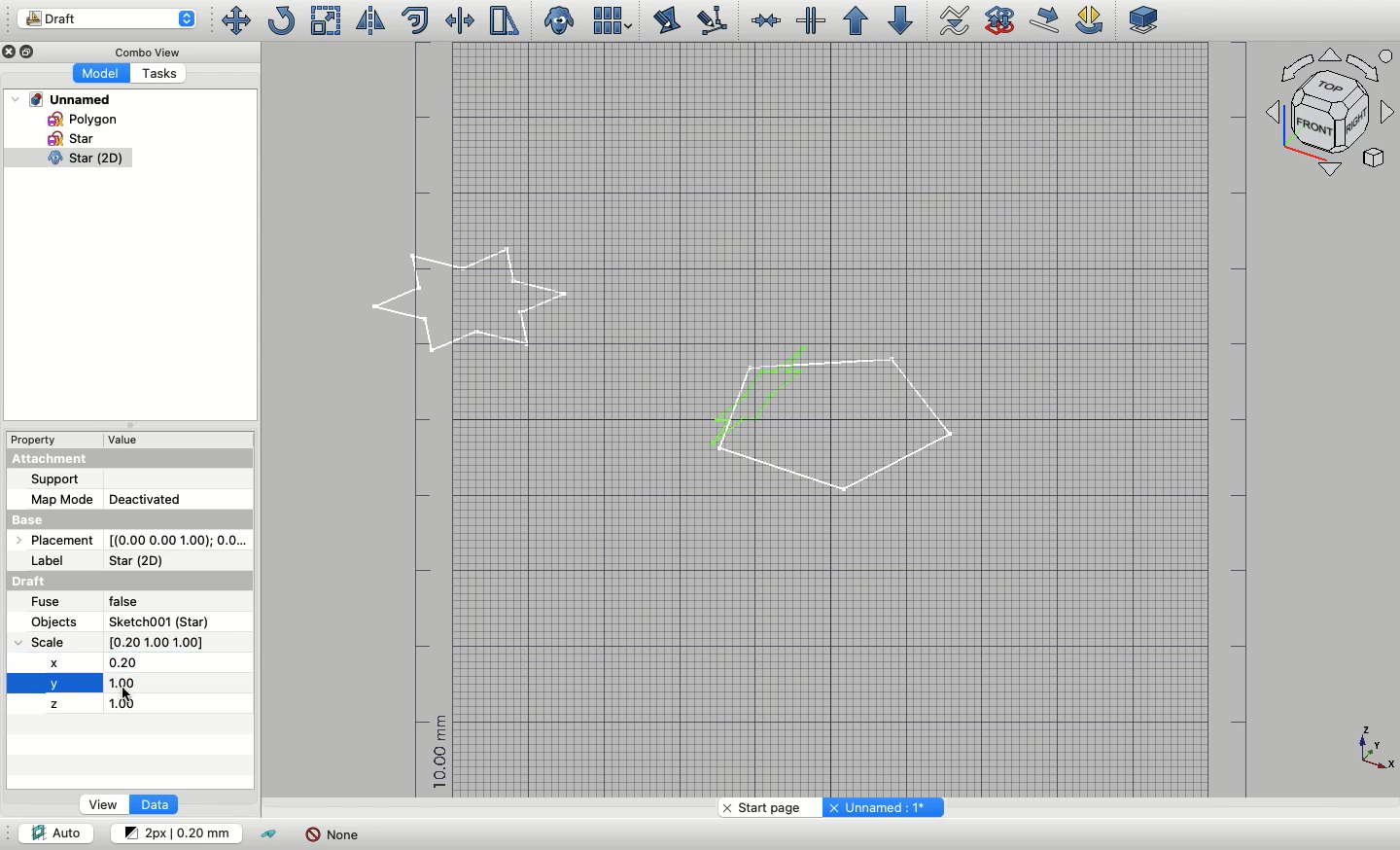 This screenshot has width=1400, height=850. What do you see at coordinates (104, 804) in the screenshot?
I see `View` at bounding box center [104, 804].